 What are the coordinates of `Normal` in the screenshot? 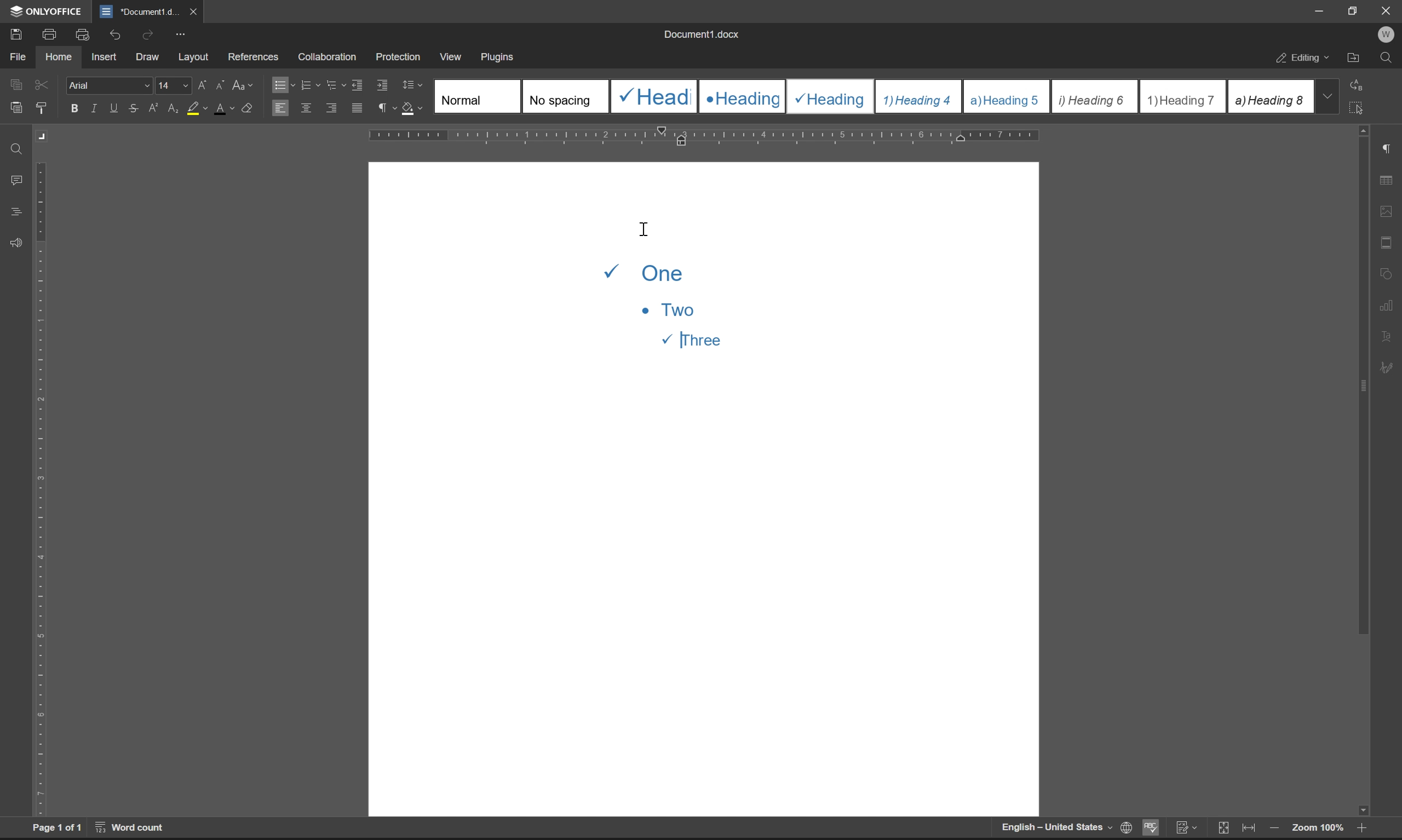 It's located at (478, 96).